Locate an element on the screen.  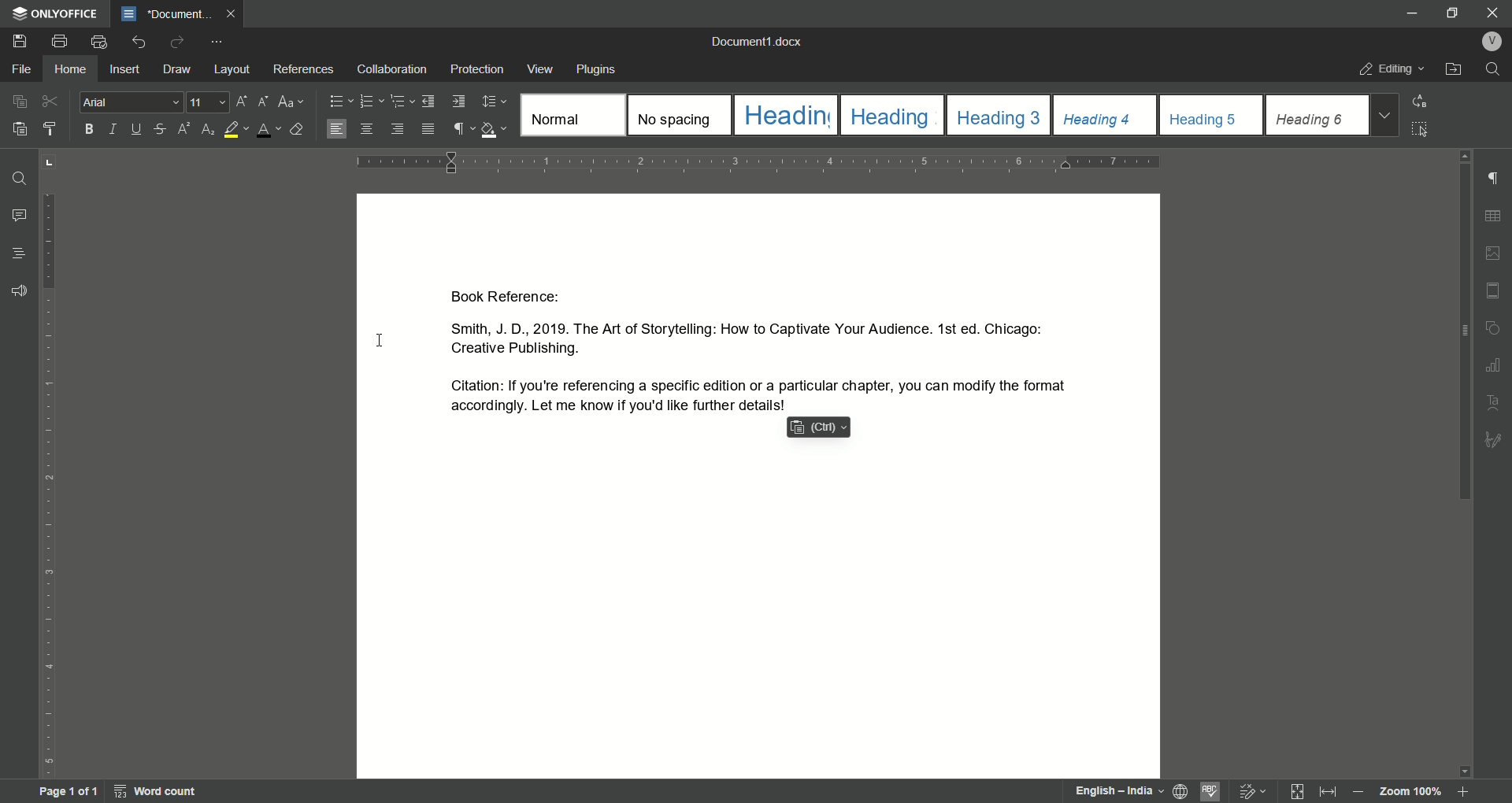
Citation: If you're referencing a specific edition or a particular chapter, you can modify the format accordingly.  Let me know if you'd like further details is located at coordinates (750, 394).